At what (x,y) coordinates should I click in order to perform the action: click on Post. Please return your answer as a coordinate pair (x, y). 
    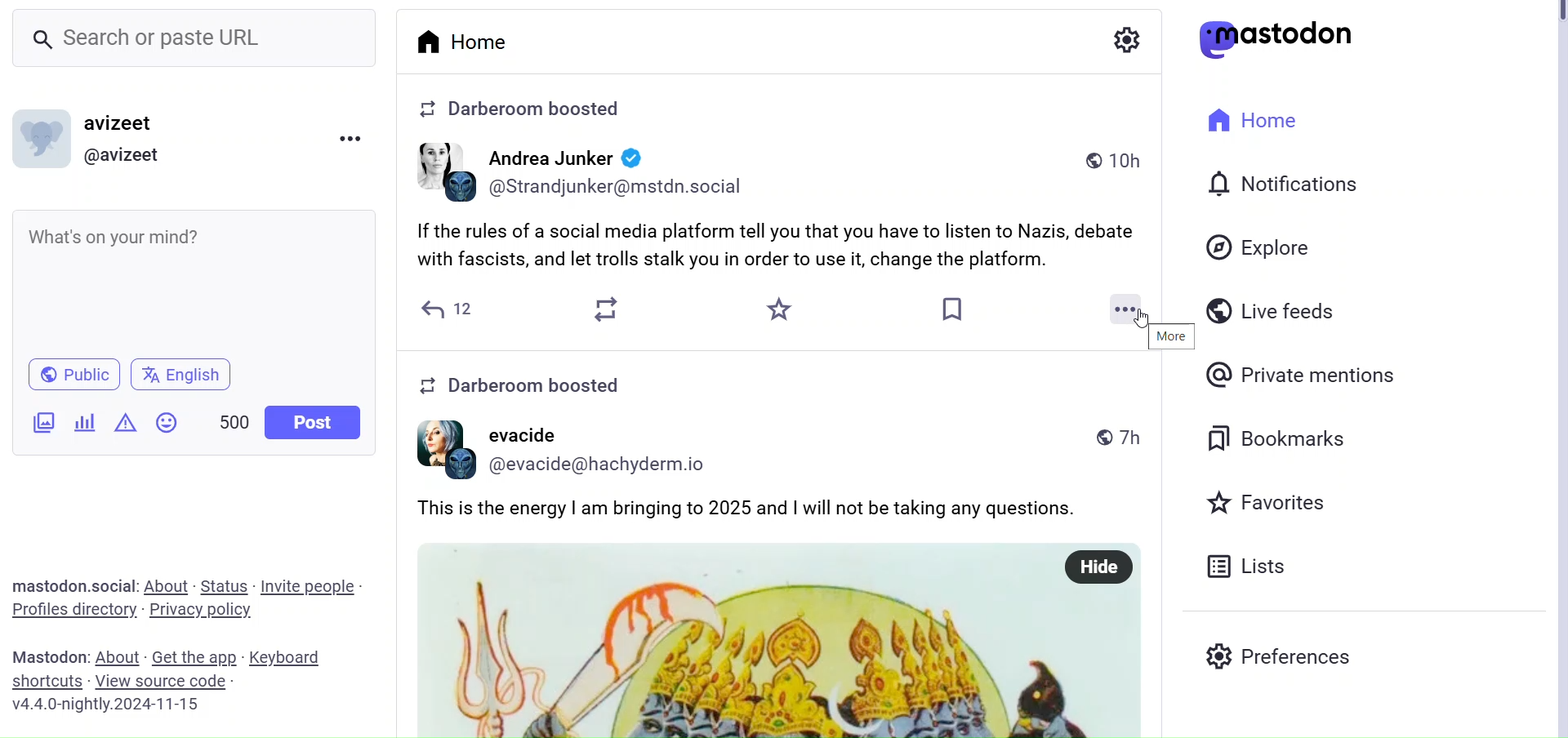
    Looking at the image, I should click on (795, 250).